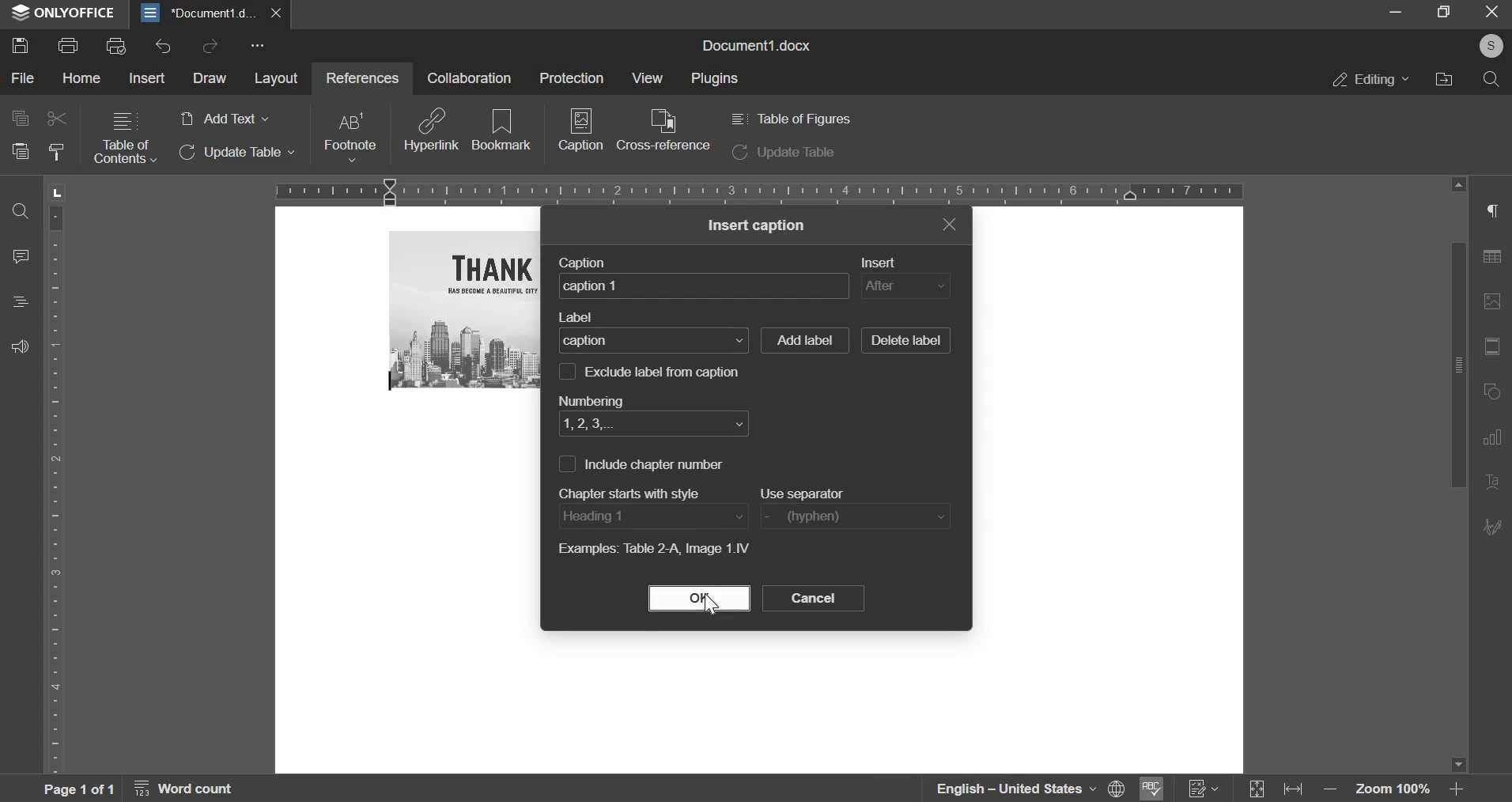 Image resolution: width=1512 pixels, height=802 pixels. I want to click on fullscreen, so click(1443, 12).